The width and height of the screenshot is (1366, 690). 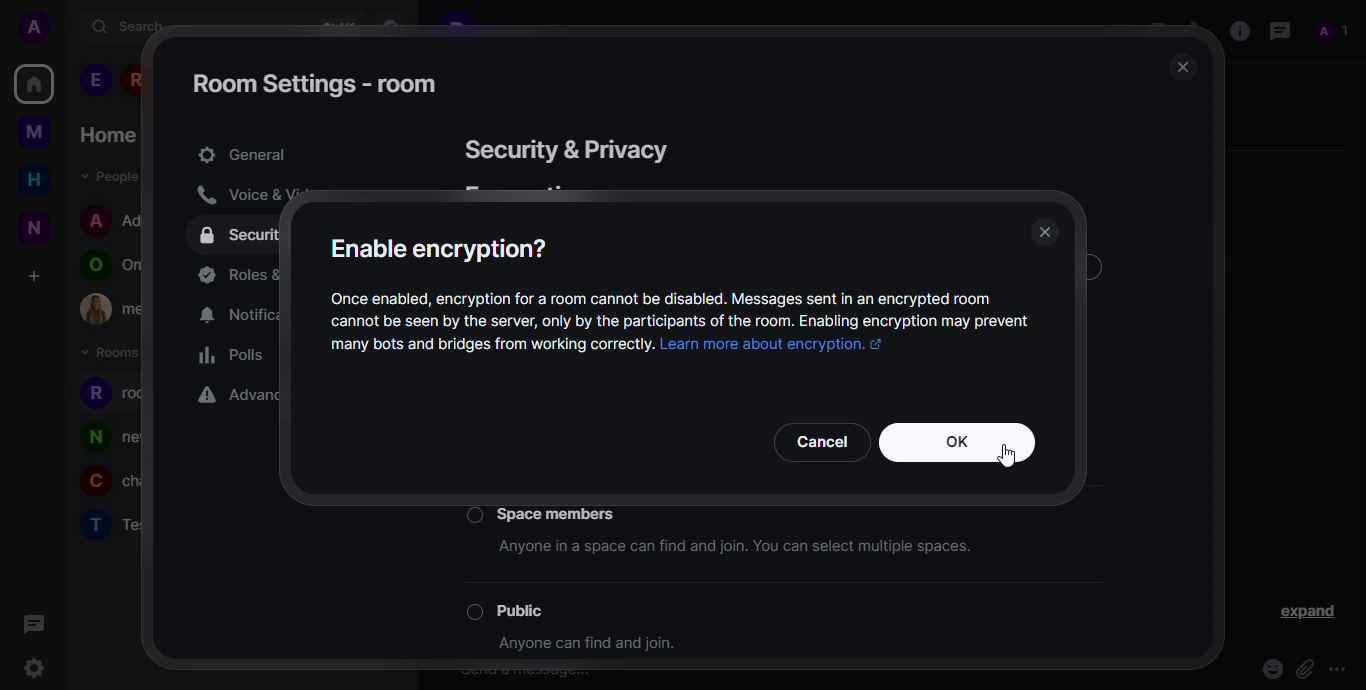 I want to click on account, so click(x=39, y=28).